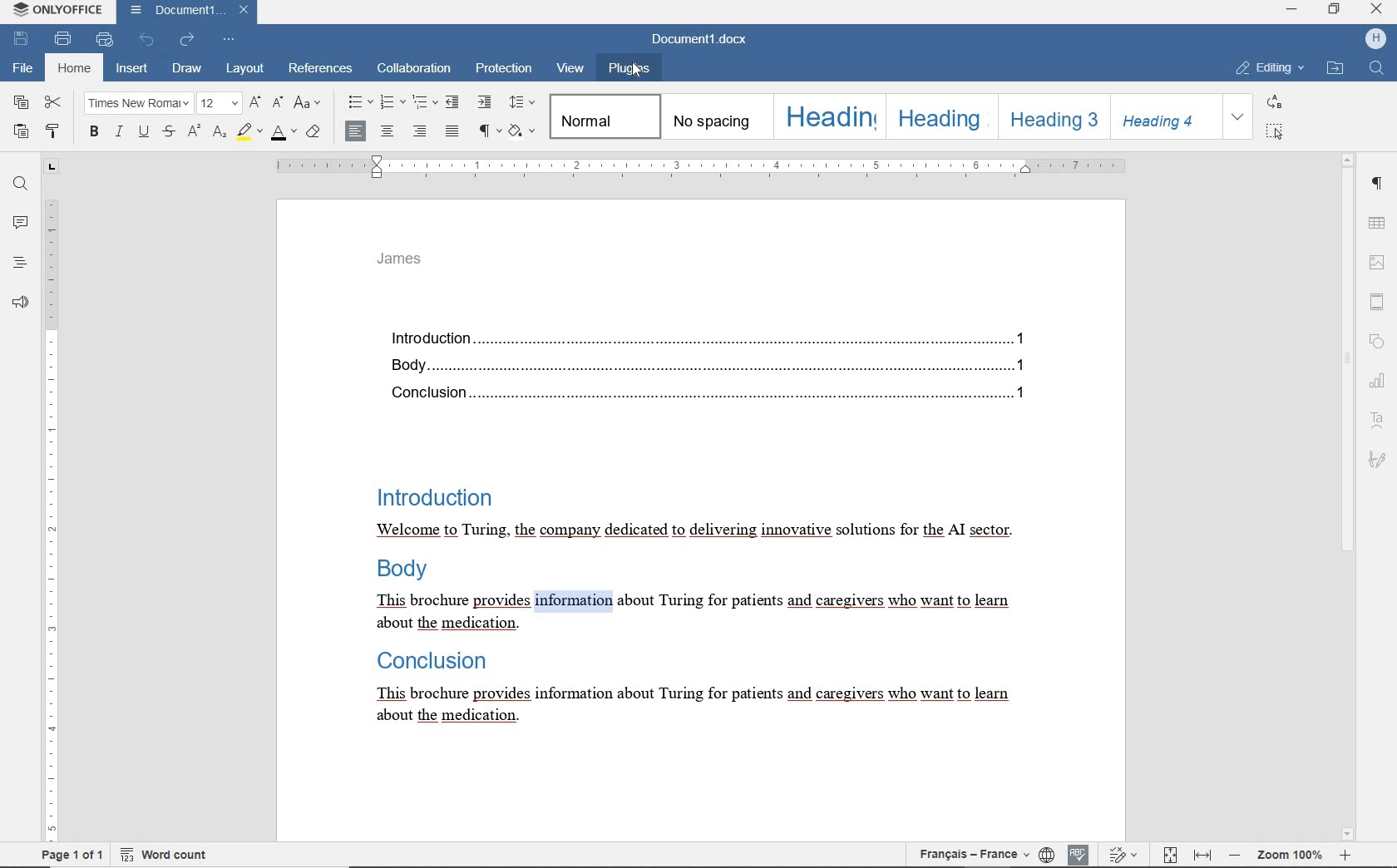 This screenshot has height=868, width=1397. Describe the element at coordinates (700, 365) in the screenshot. I see `Body....1` at that location.